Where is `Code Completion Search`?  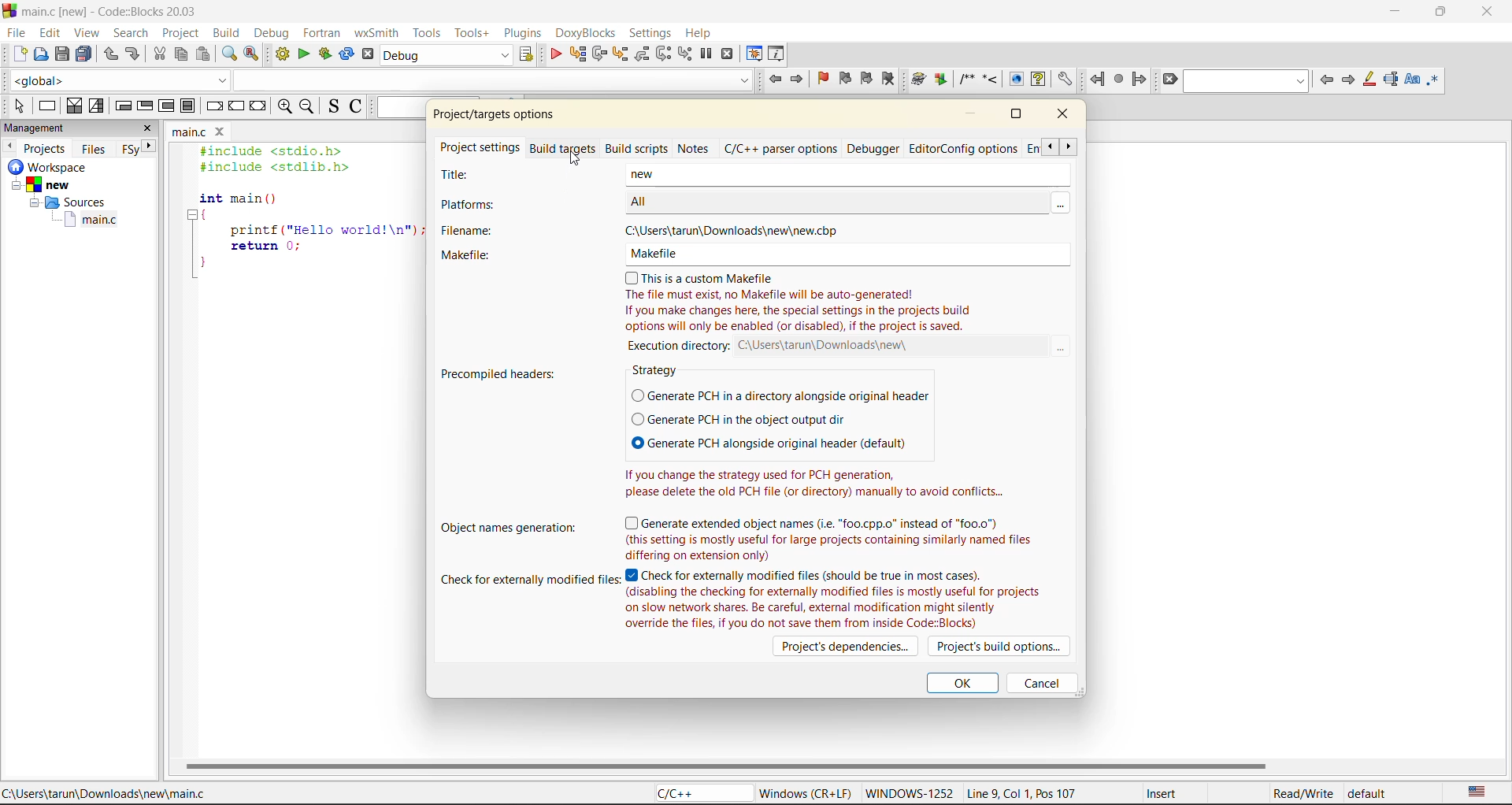
Code Completion Search is located at coordinates (493, 80).